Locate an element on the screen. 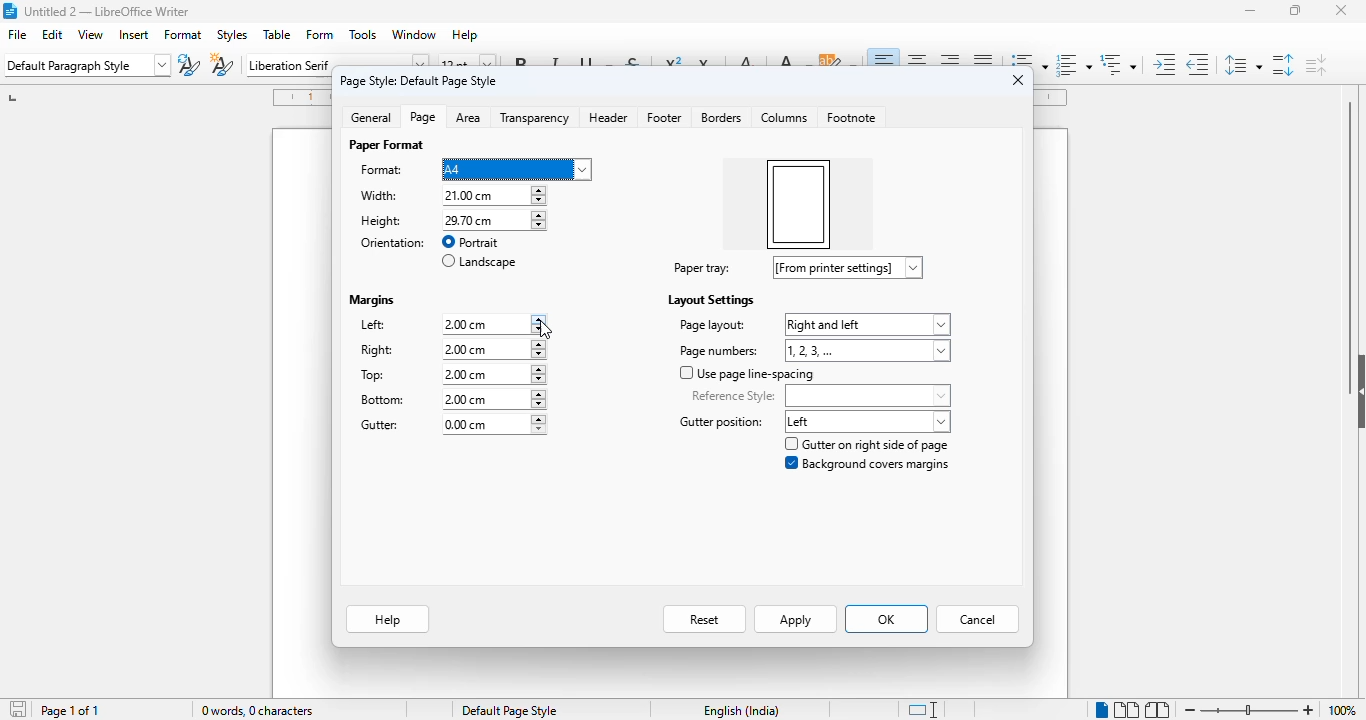 The width and height of the screenshot is (1366, 720). left:  is located at coordinates (374, 325).